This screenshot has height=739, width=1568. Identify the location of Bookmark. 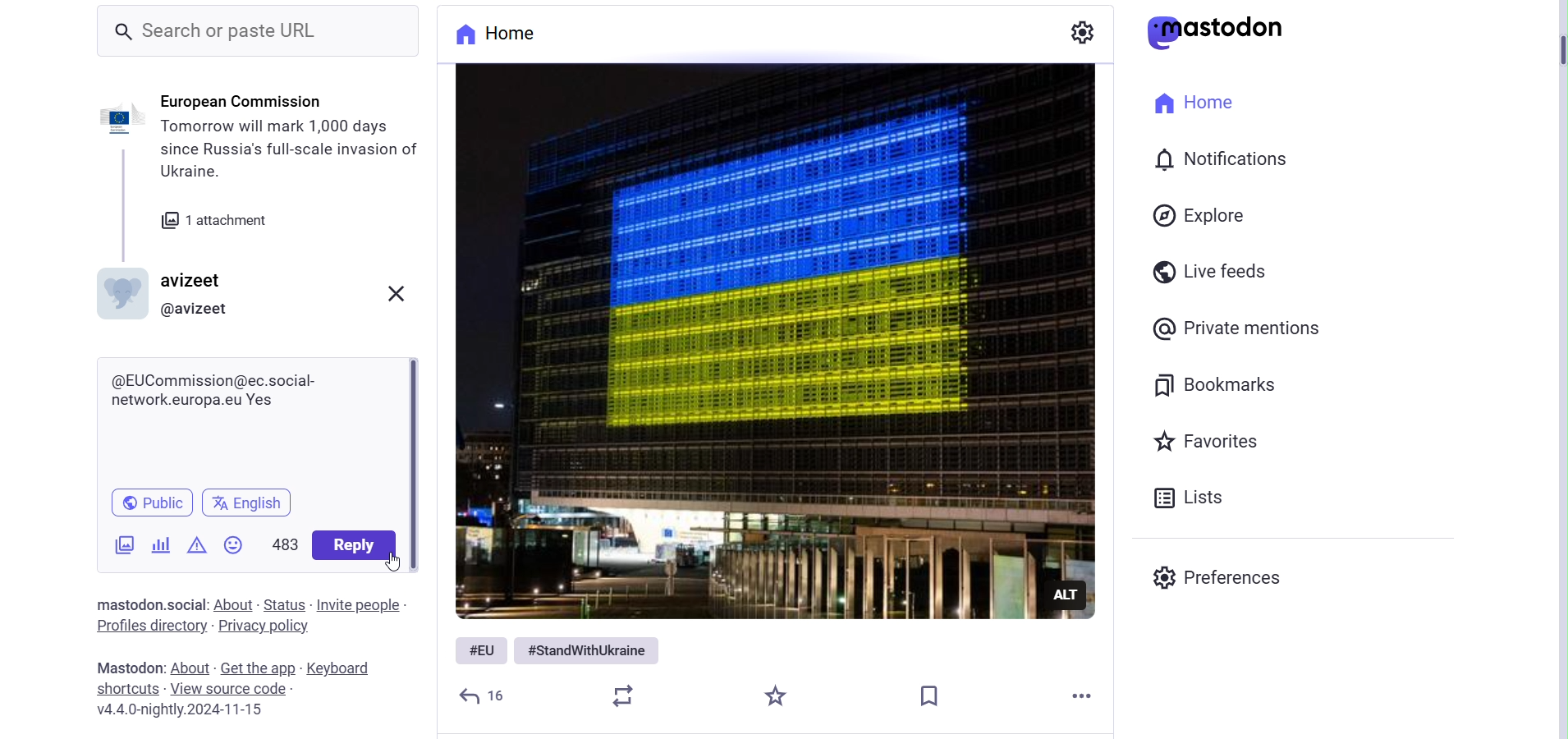
(930, 692).